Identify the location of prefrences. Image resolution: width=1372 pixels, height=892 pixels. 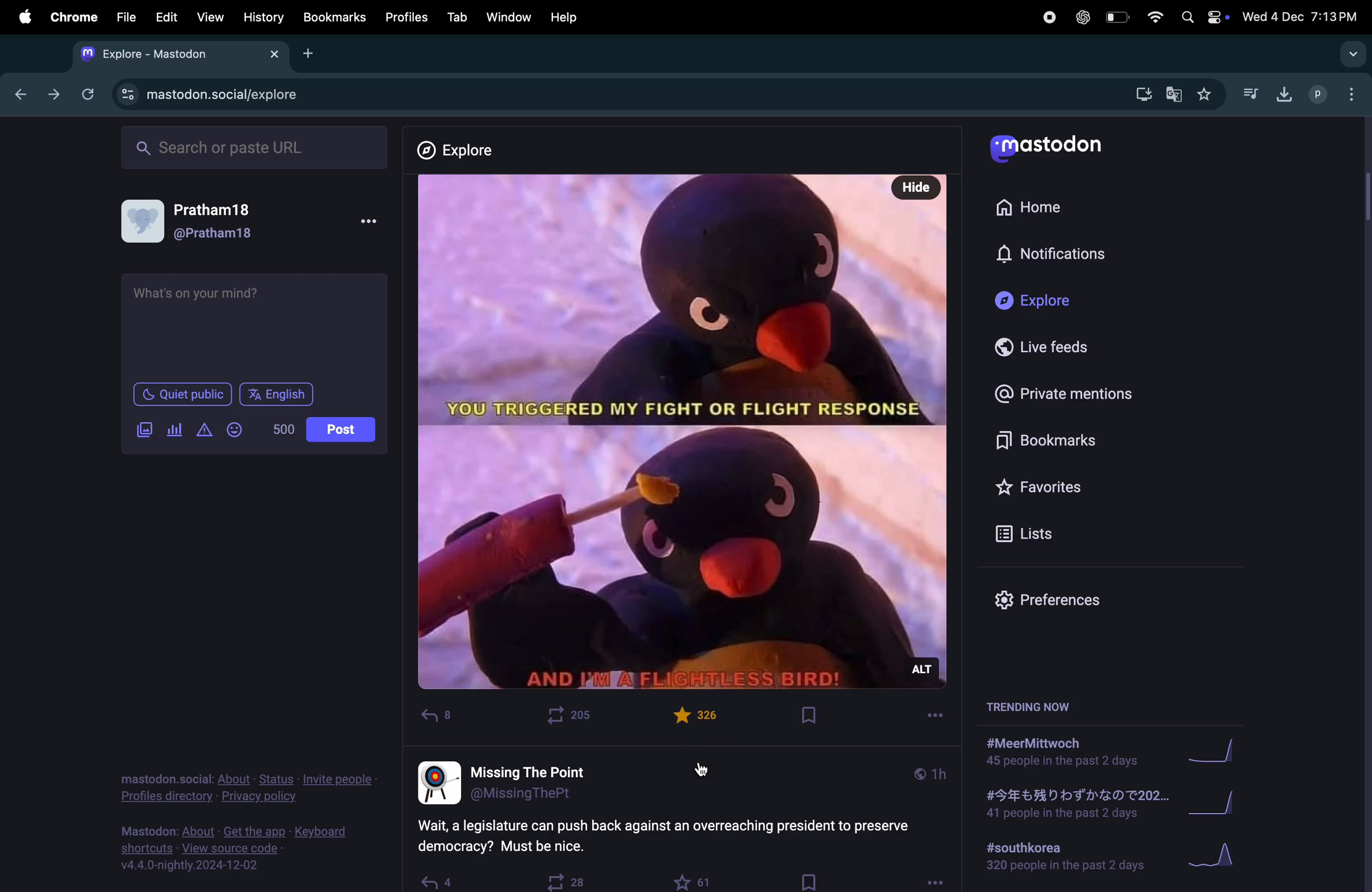
(1051, 602).